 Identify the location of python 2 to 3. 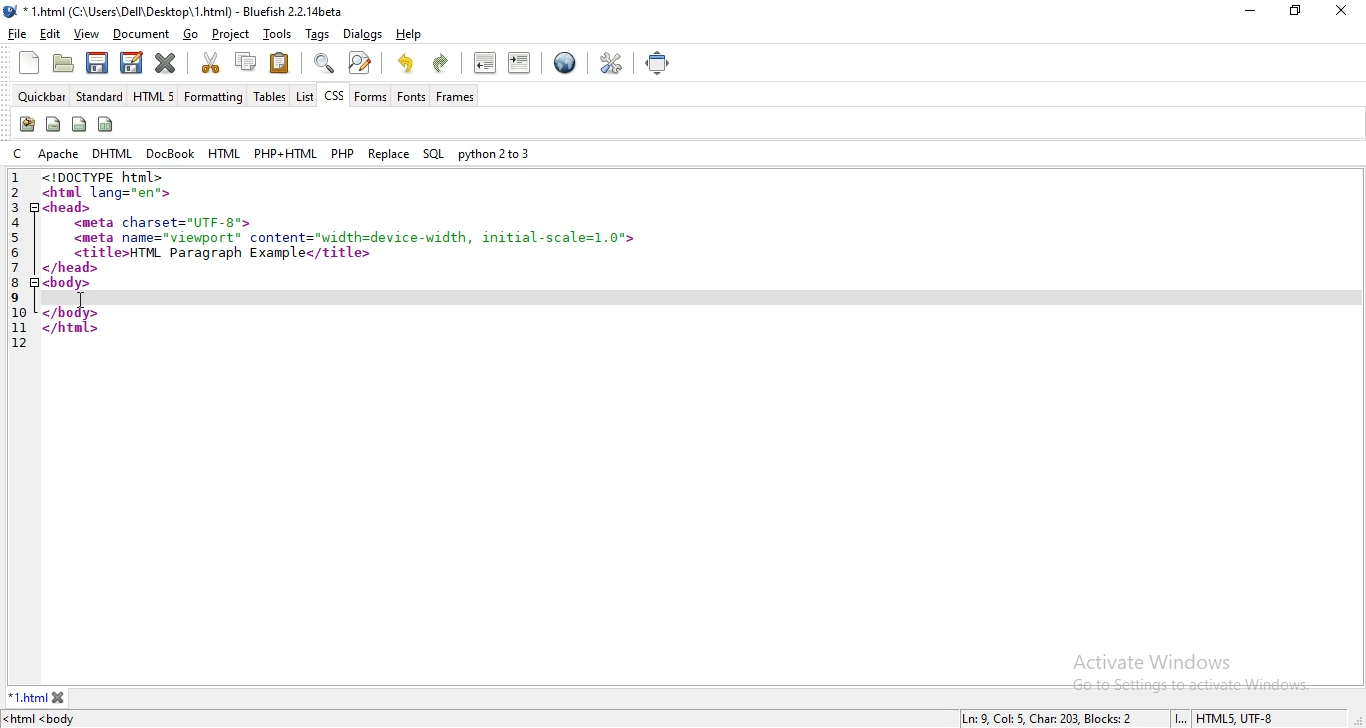
(493, 154).